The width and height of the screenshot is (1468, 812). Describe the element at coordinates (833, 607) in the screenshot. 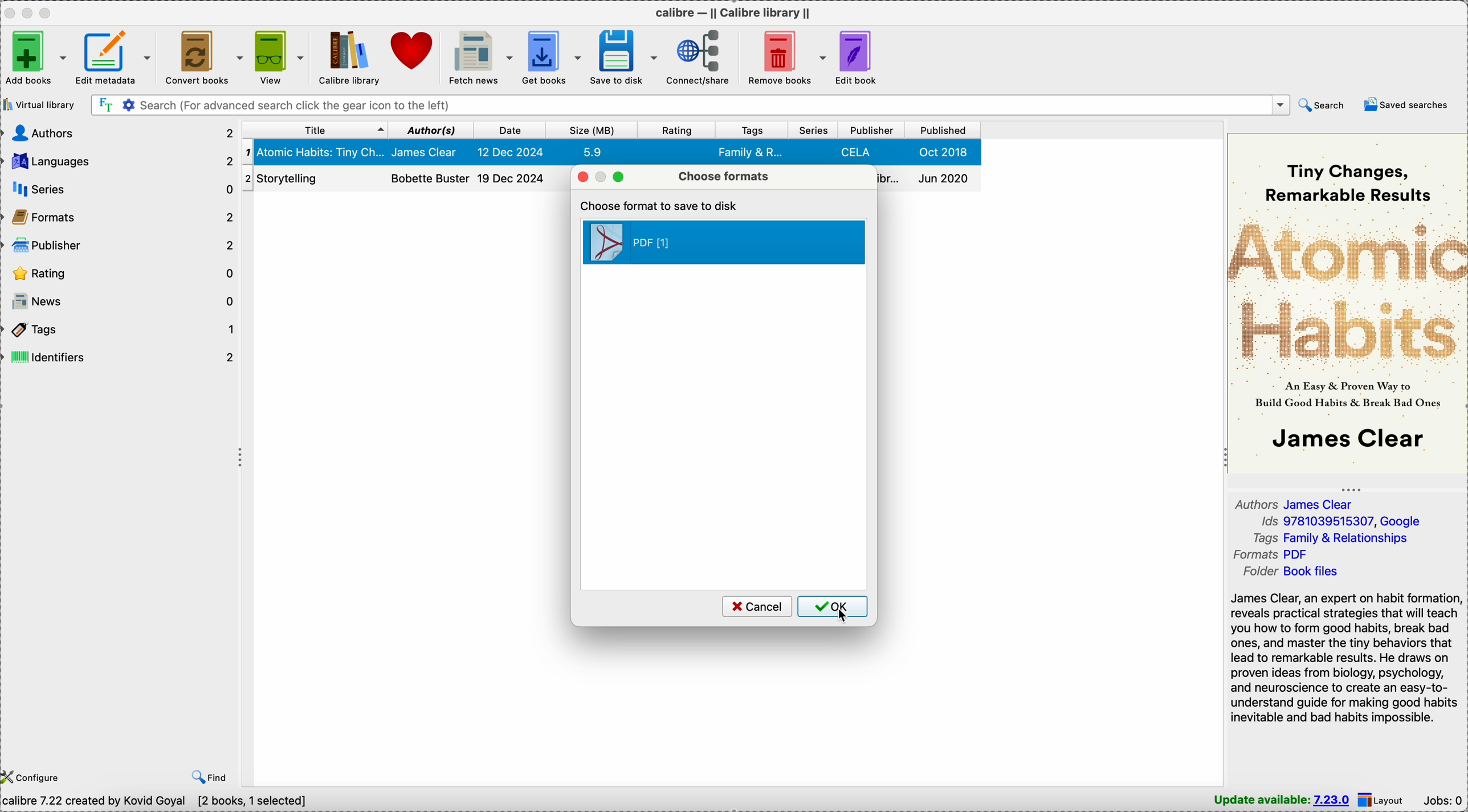

I see `OK` at that location.